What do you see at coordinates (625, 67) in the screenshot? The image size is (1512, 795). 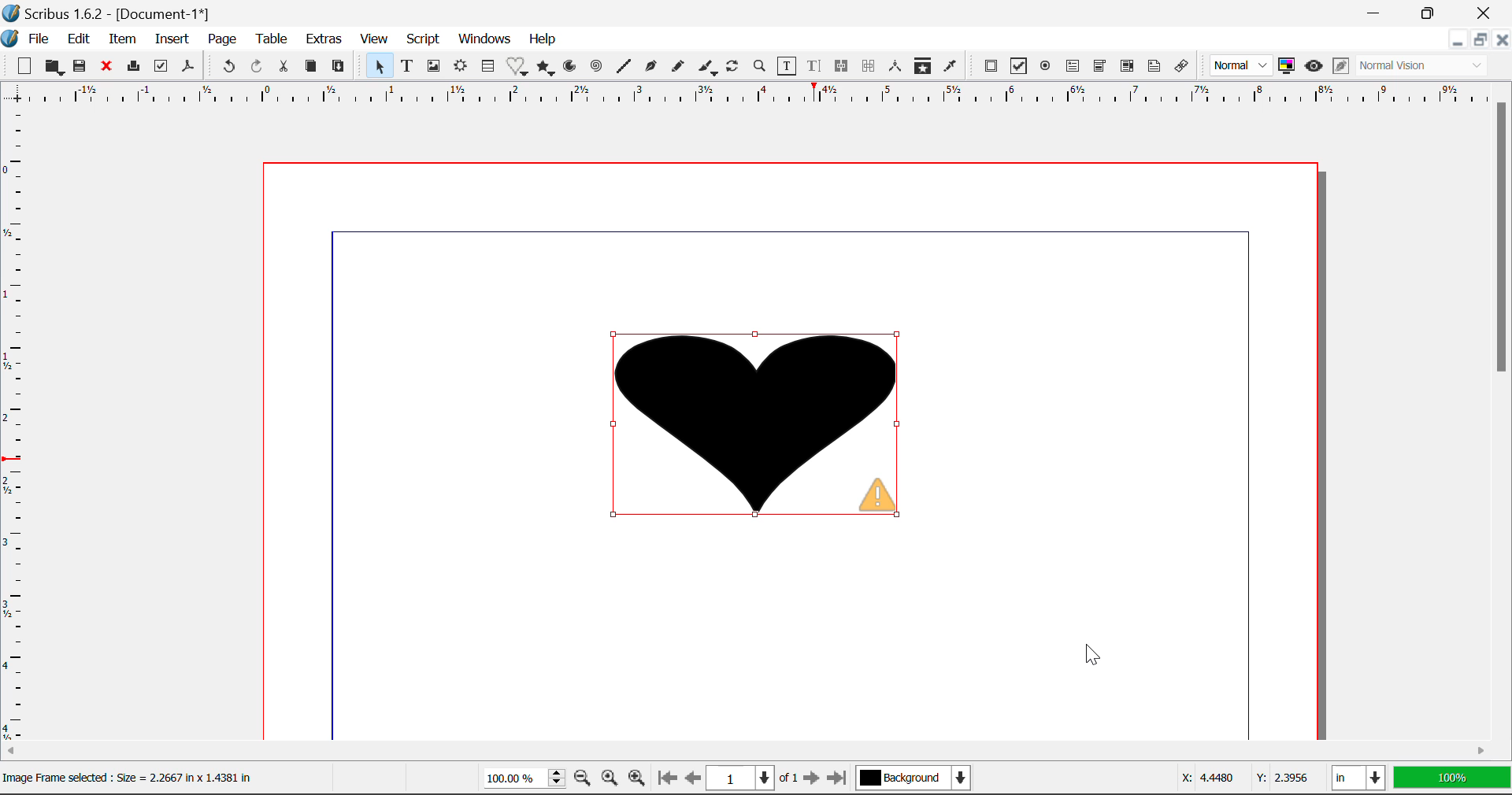 I see `Line` at bounding box center [625, 67].